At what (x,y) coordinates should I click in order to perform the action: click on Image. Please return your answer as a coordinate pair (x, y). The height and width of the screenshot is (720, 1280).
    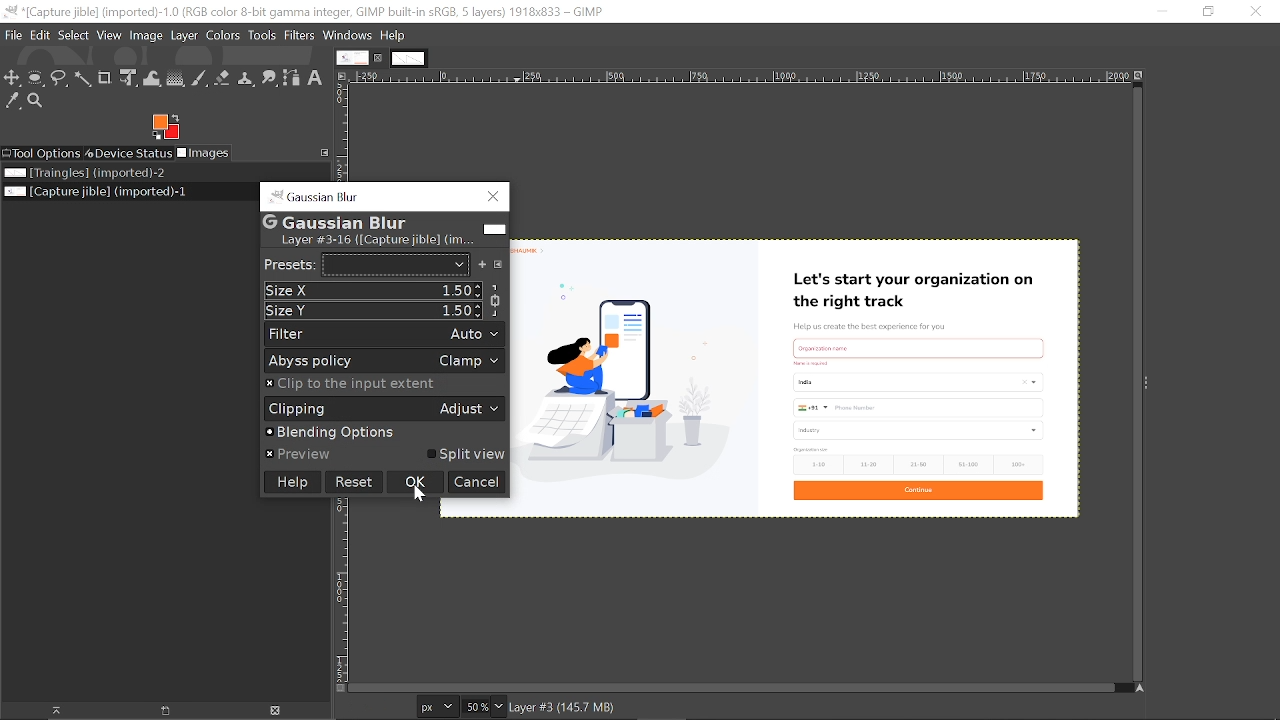
    Looking at the image, I should click on (146, 37).